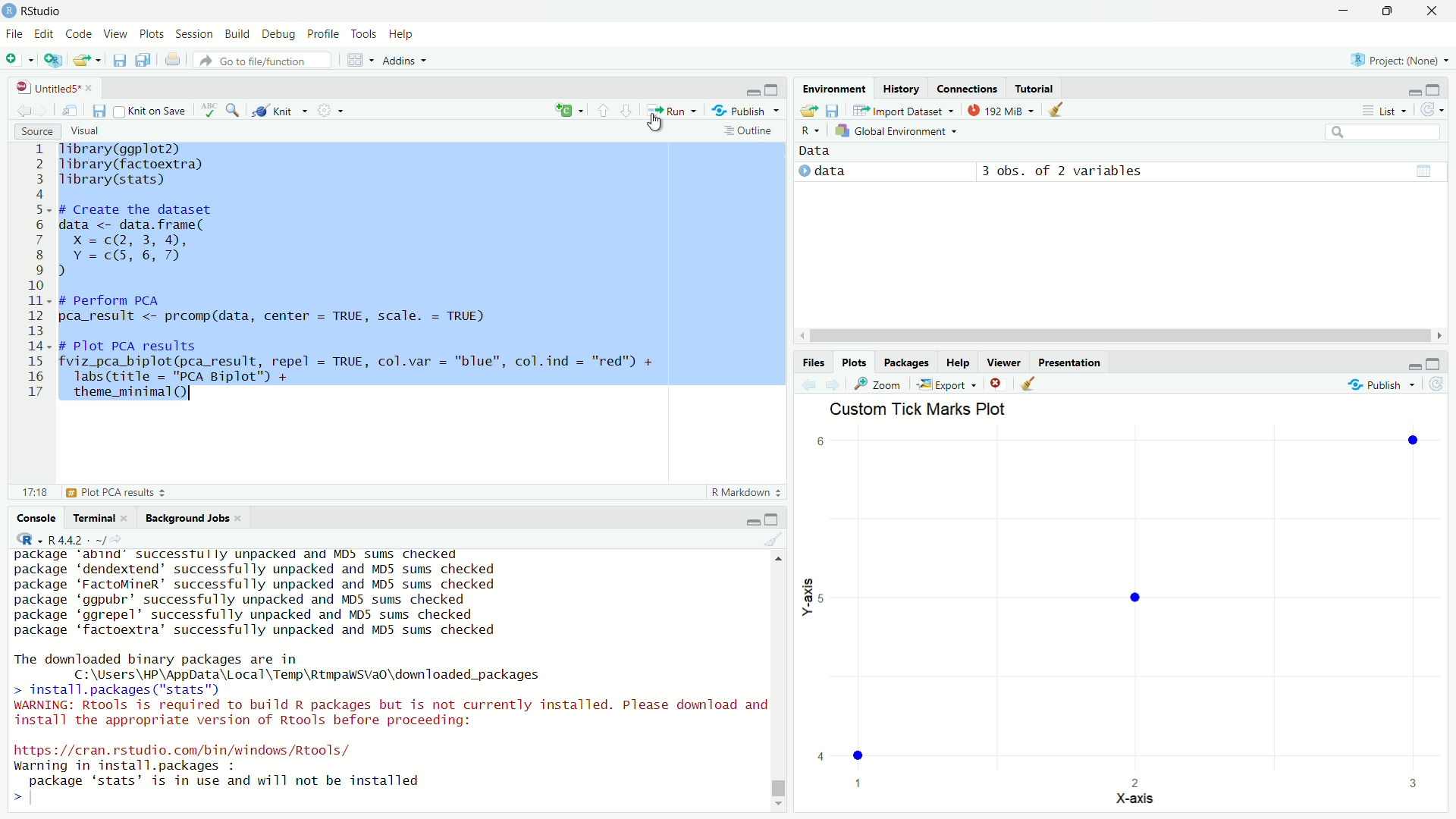 Image resolution: width=1456 pixels, height=819 pixels. What do you see at coordinates (775, 90) in the screenshot?
I see `maximize` at bounding box center [775, 90].